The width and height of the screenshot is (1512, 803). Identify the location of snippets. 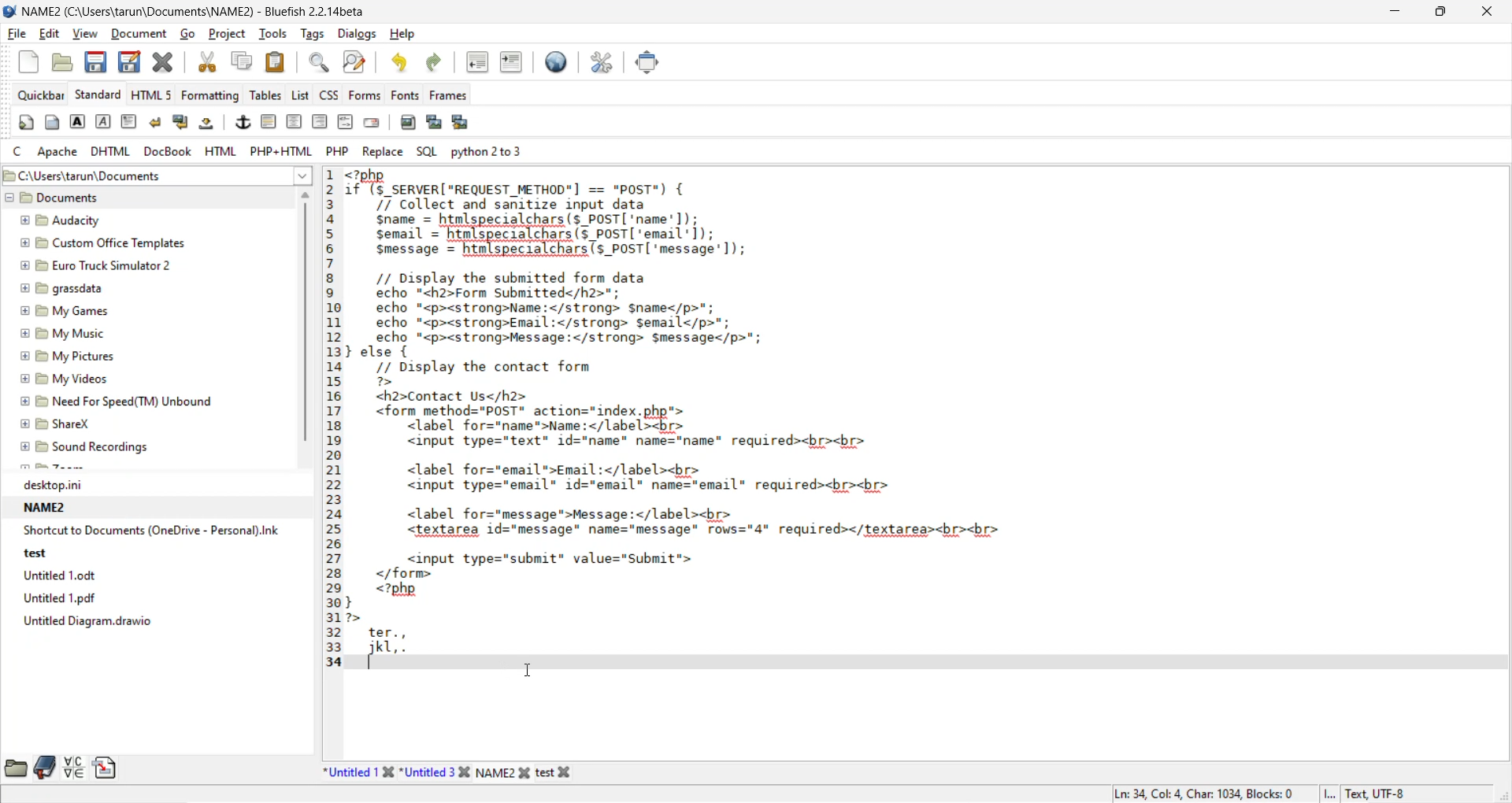
(108, 769).